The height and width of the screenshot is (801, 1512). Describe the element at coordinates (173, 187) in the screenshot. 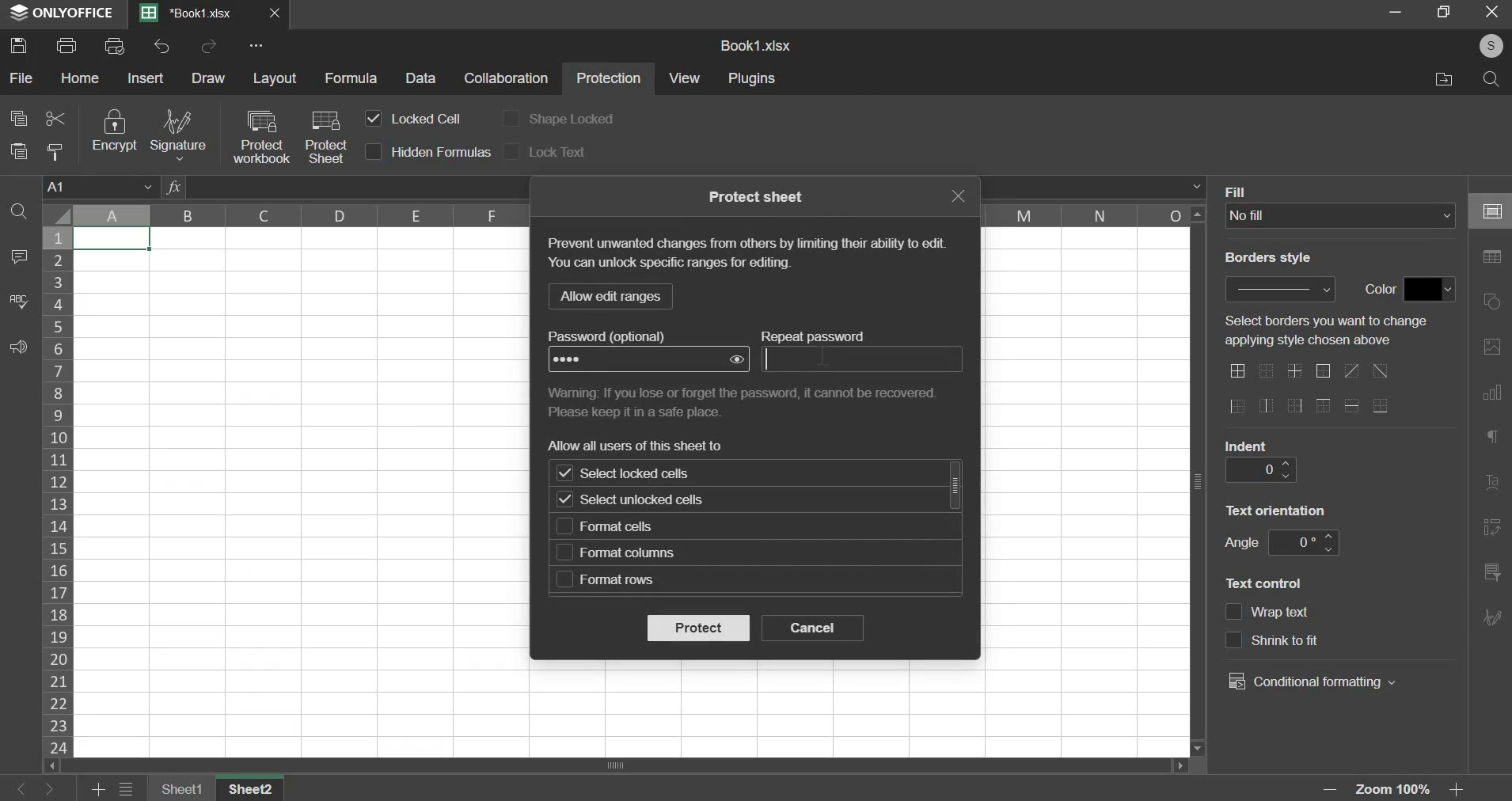

I see `fx` at that location.